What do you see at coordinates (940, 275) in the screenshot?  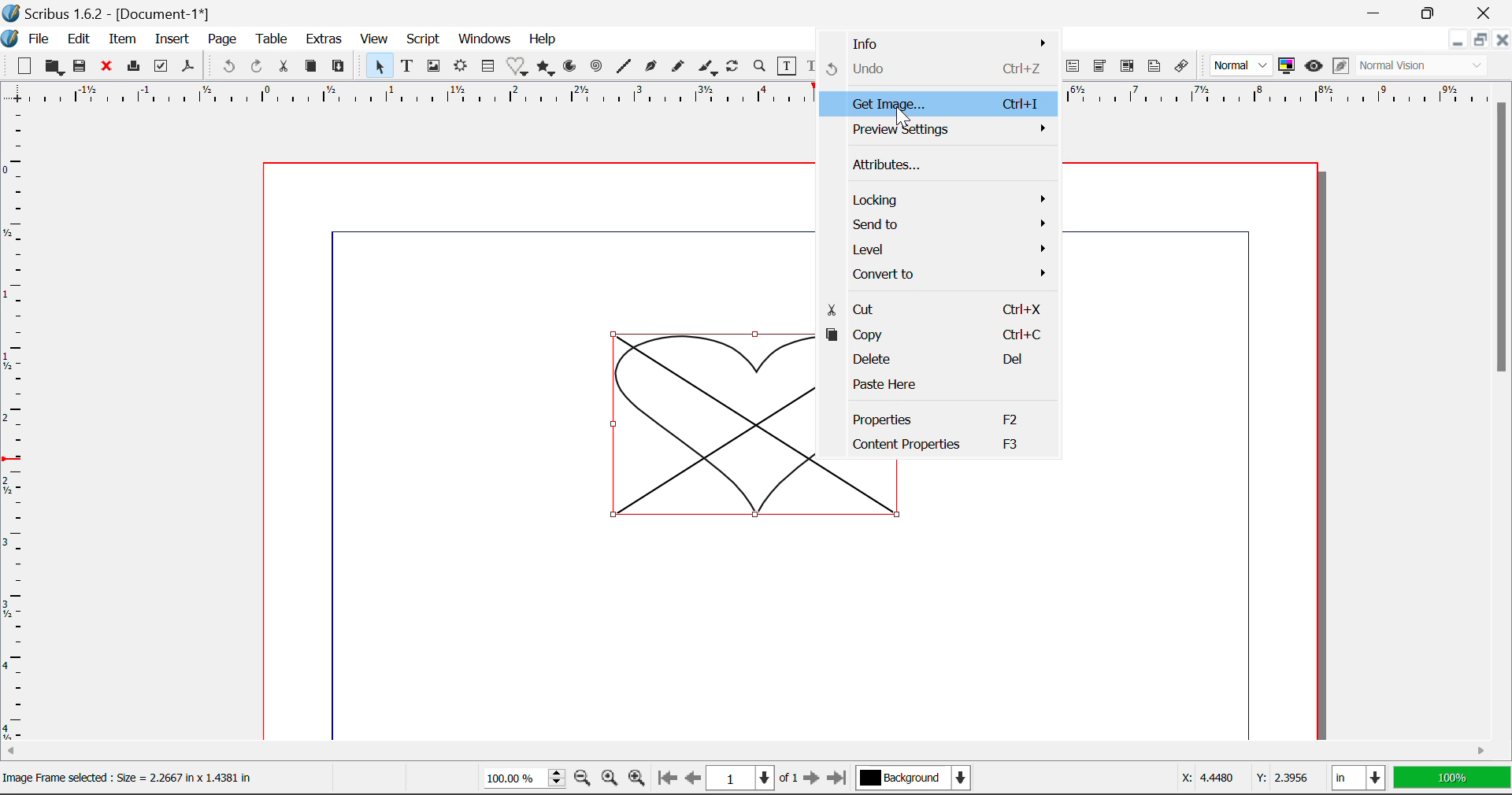 I see `Convert to` at bounding box center [940, 275].